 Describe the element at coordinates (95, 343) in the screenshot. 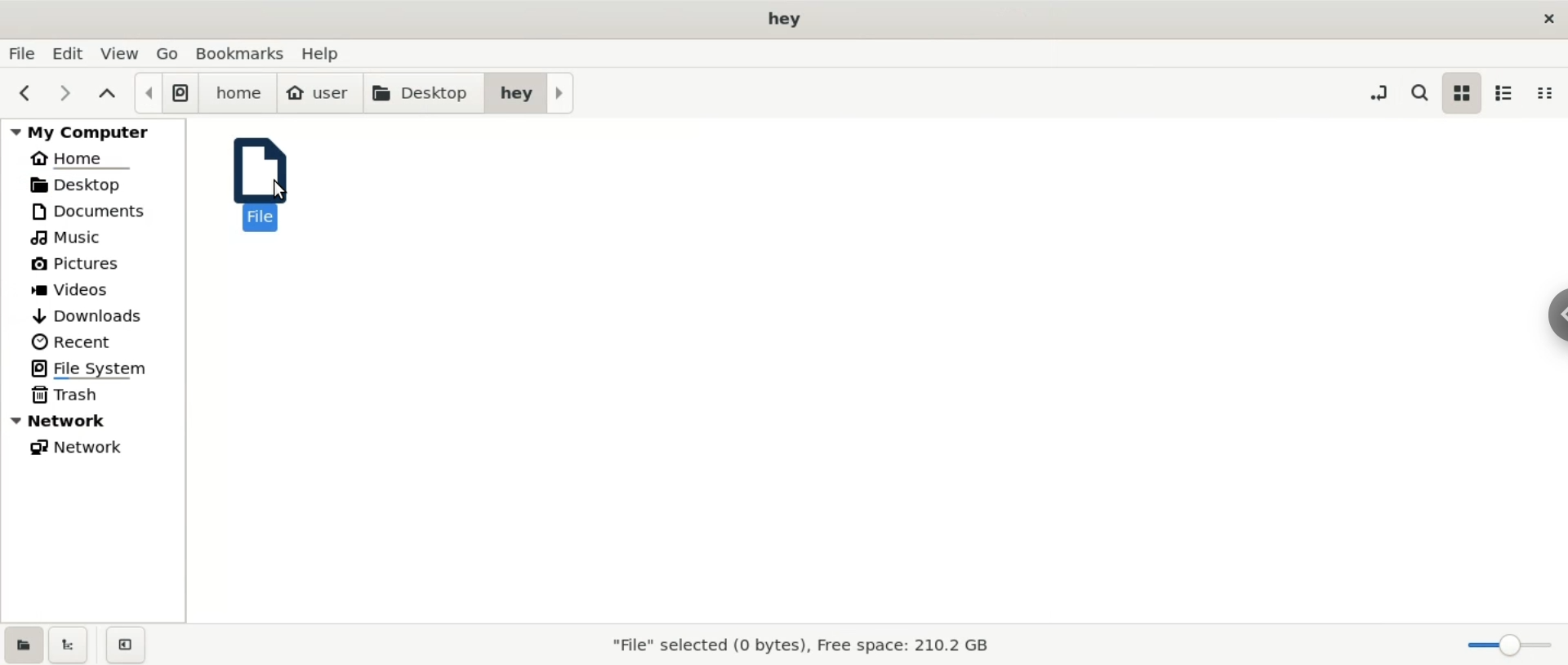

I see `recent` at that location.